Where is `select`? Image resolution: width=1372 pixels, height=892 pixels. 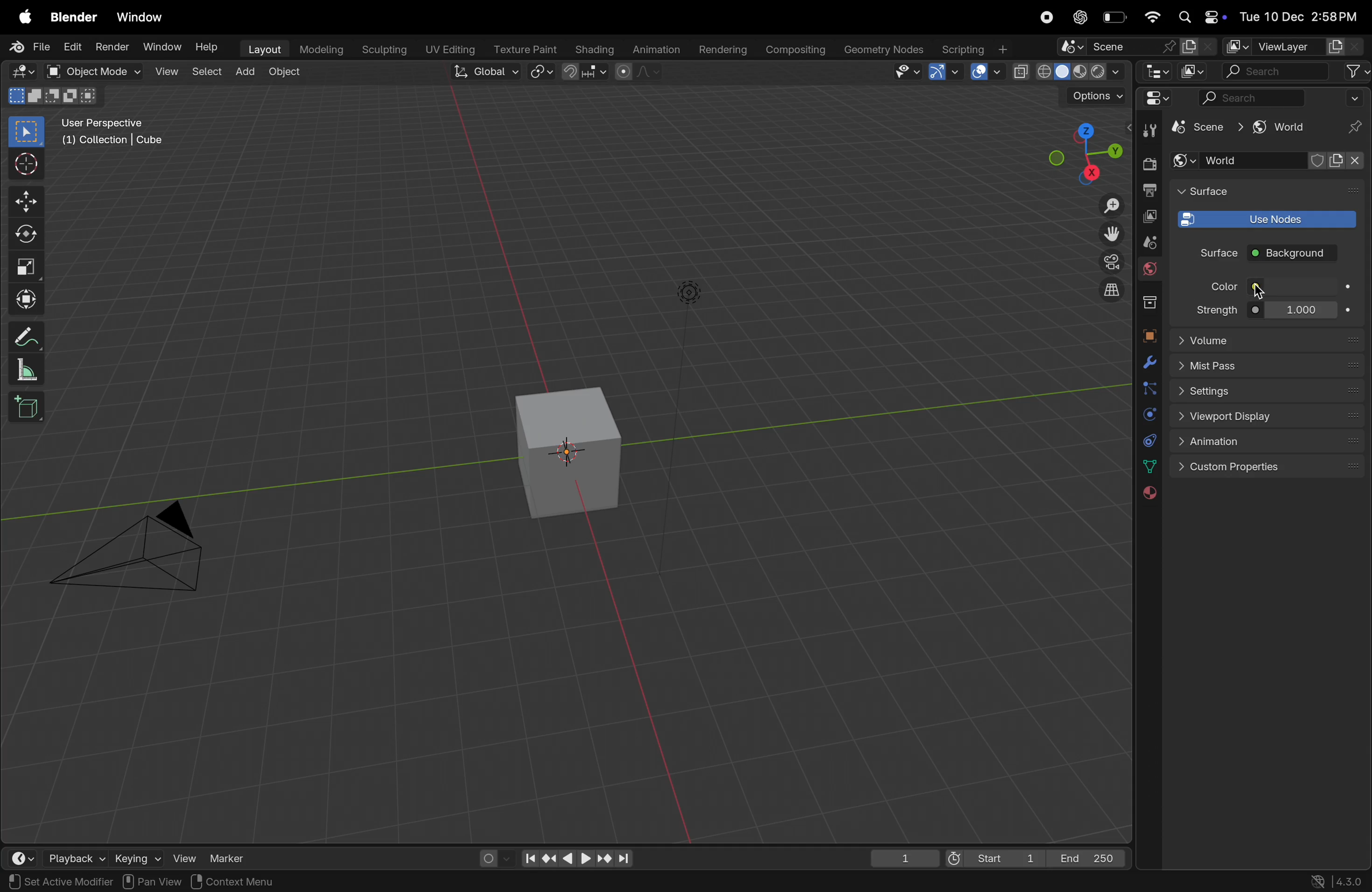
select is located at coordinates (205, 72).